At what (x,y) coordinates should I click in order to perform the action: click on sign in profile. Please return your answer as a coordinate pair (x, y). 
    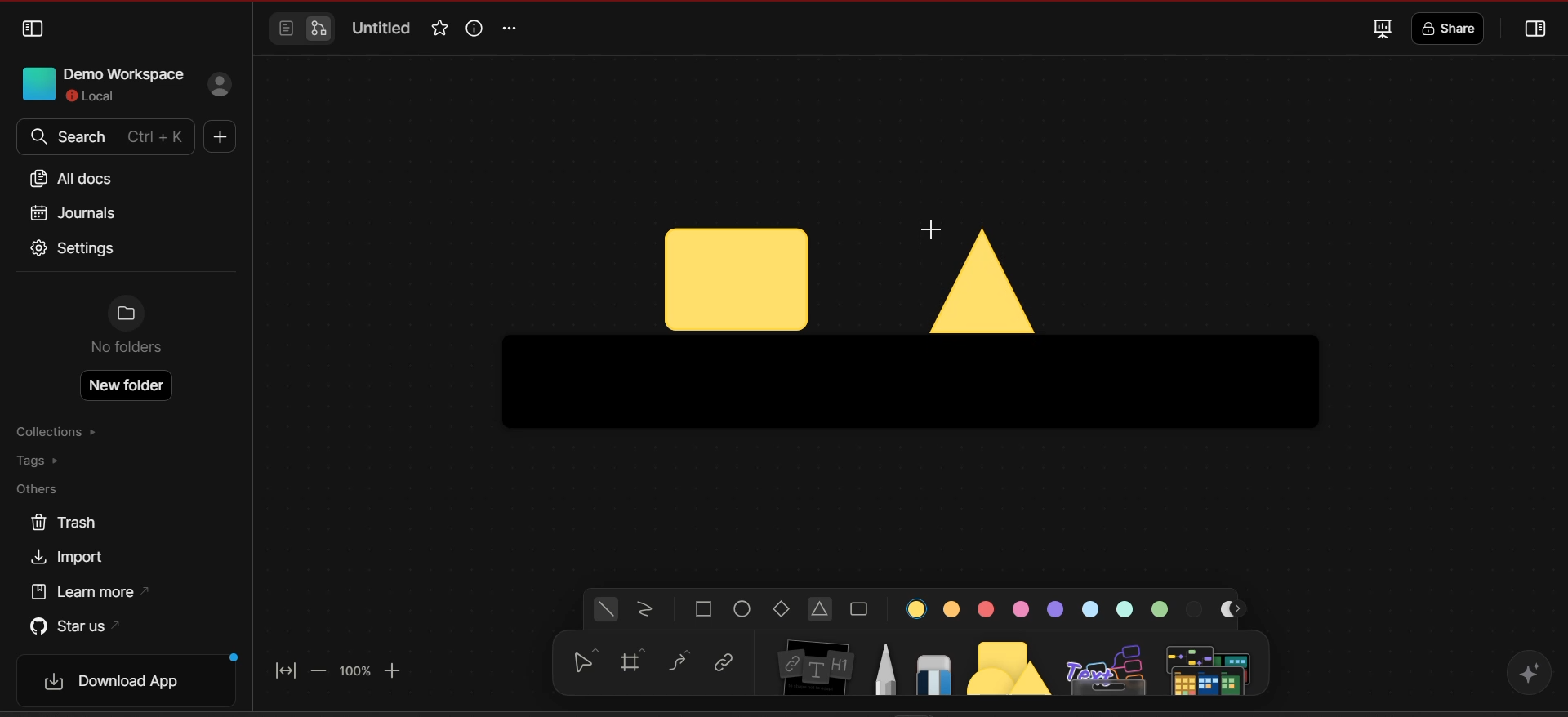
    Looking at the image, I should click on (222, 86).